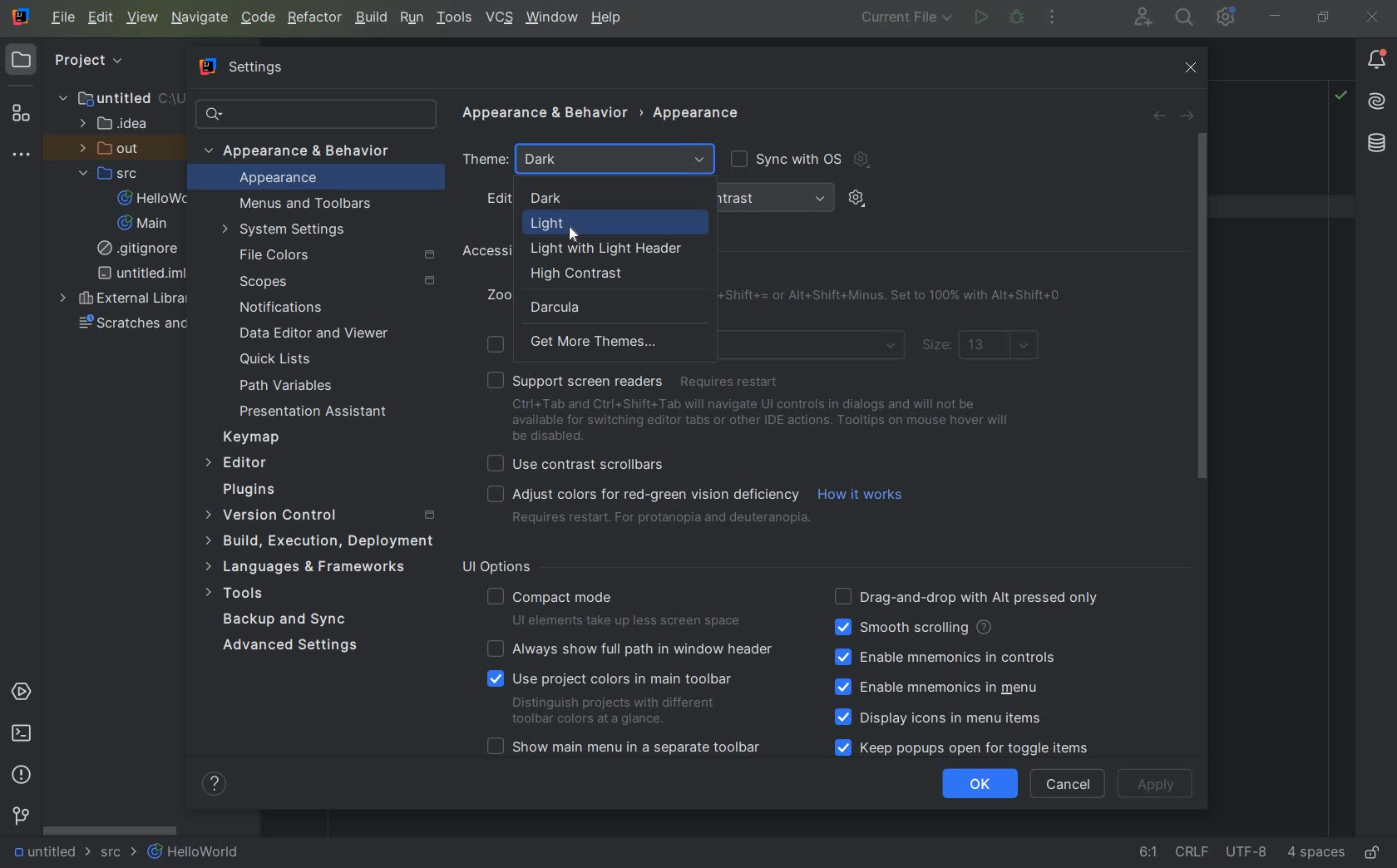 The image size is (1397, 868). Describe the element at coordinates (370, 17) in the screenshot. I see `BUILD` at that location.